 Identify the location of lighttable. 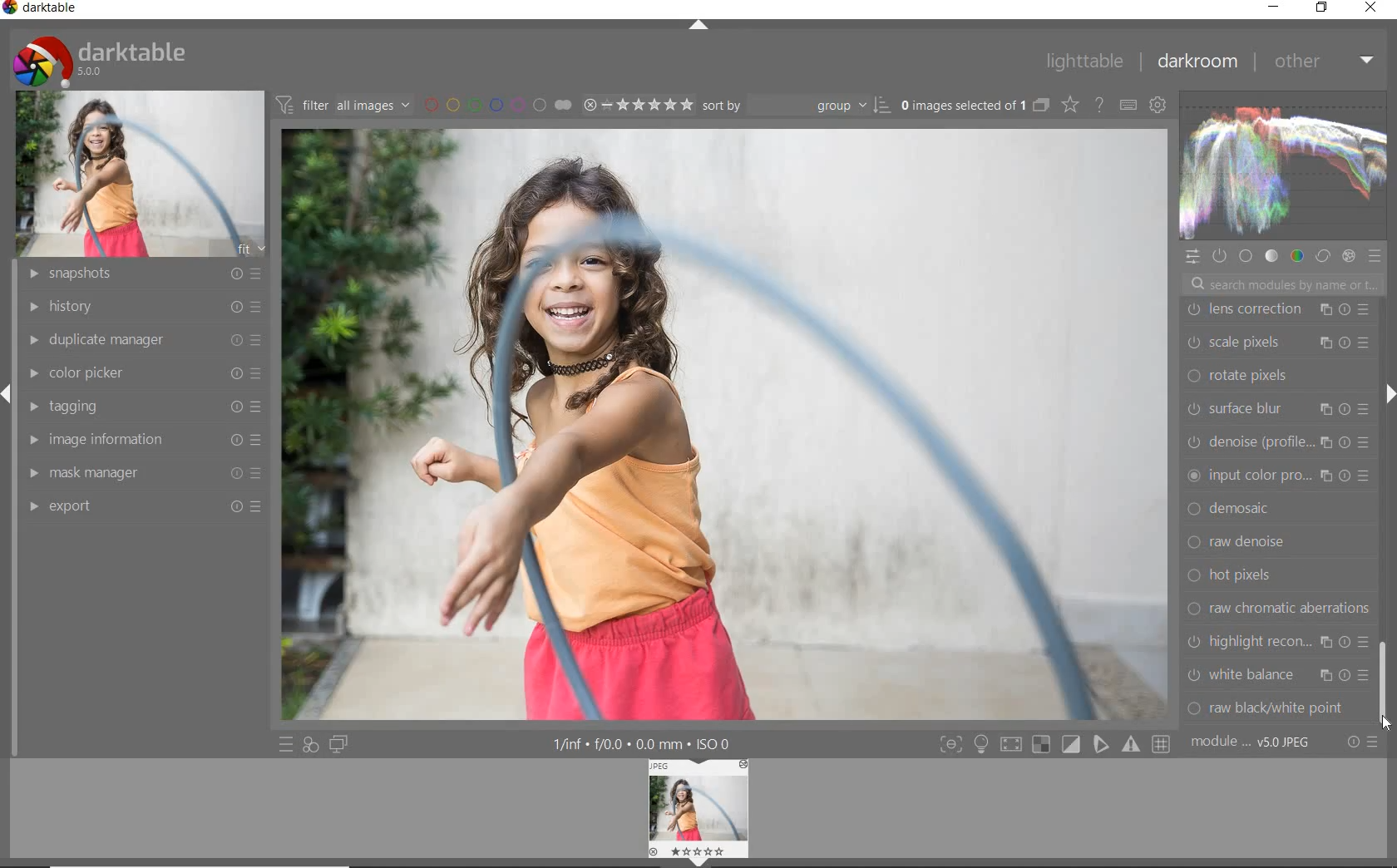
(1084, 62).